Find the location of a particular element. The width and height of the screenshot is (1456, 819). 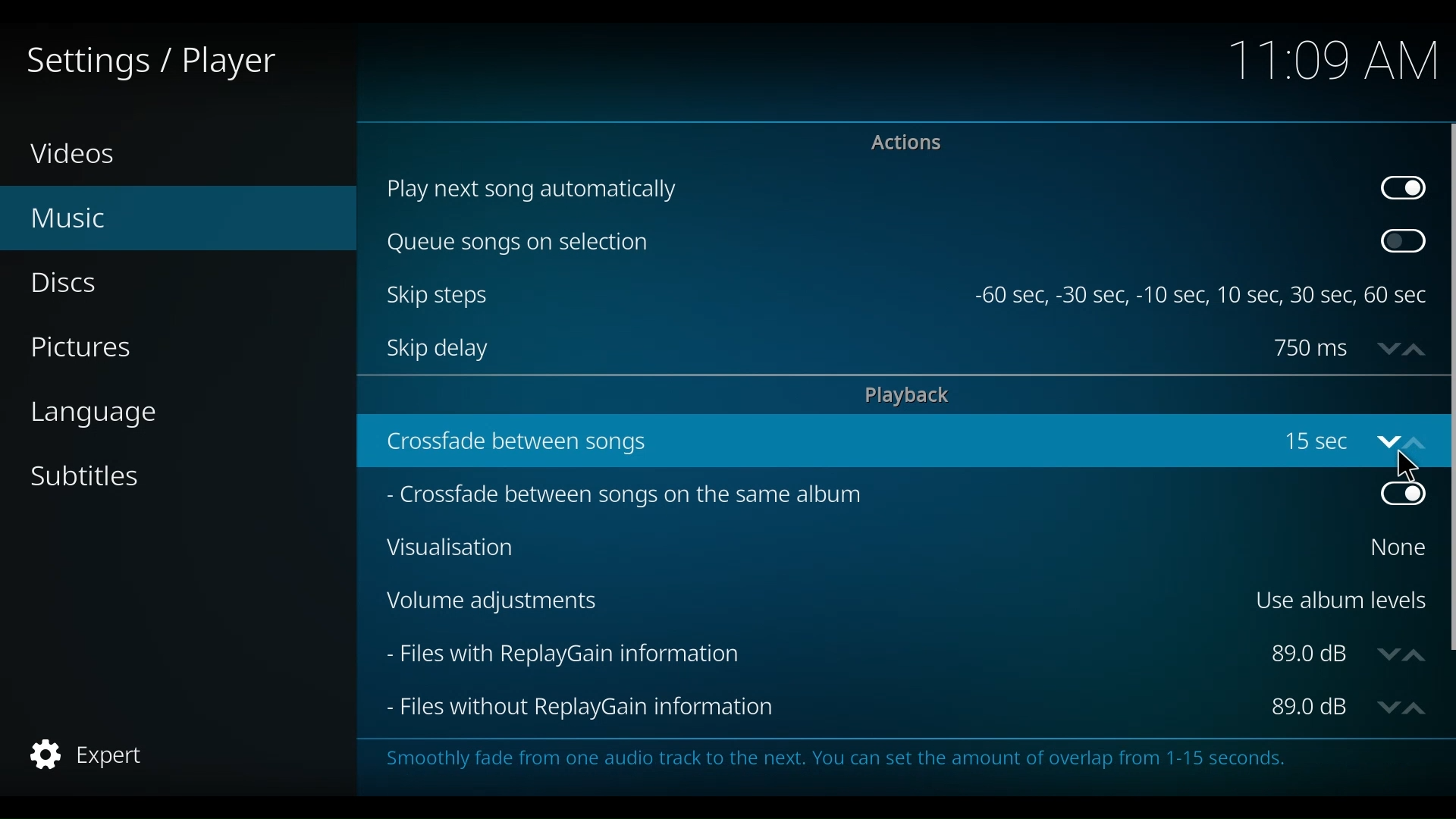

Discs is located at coordinates (70, 284).